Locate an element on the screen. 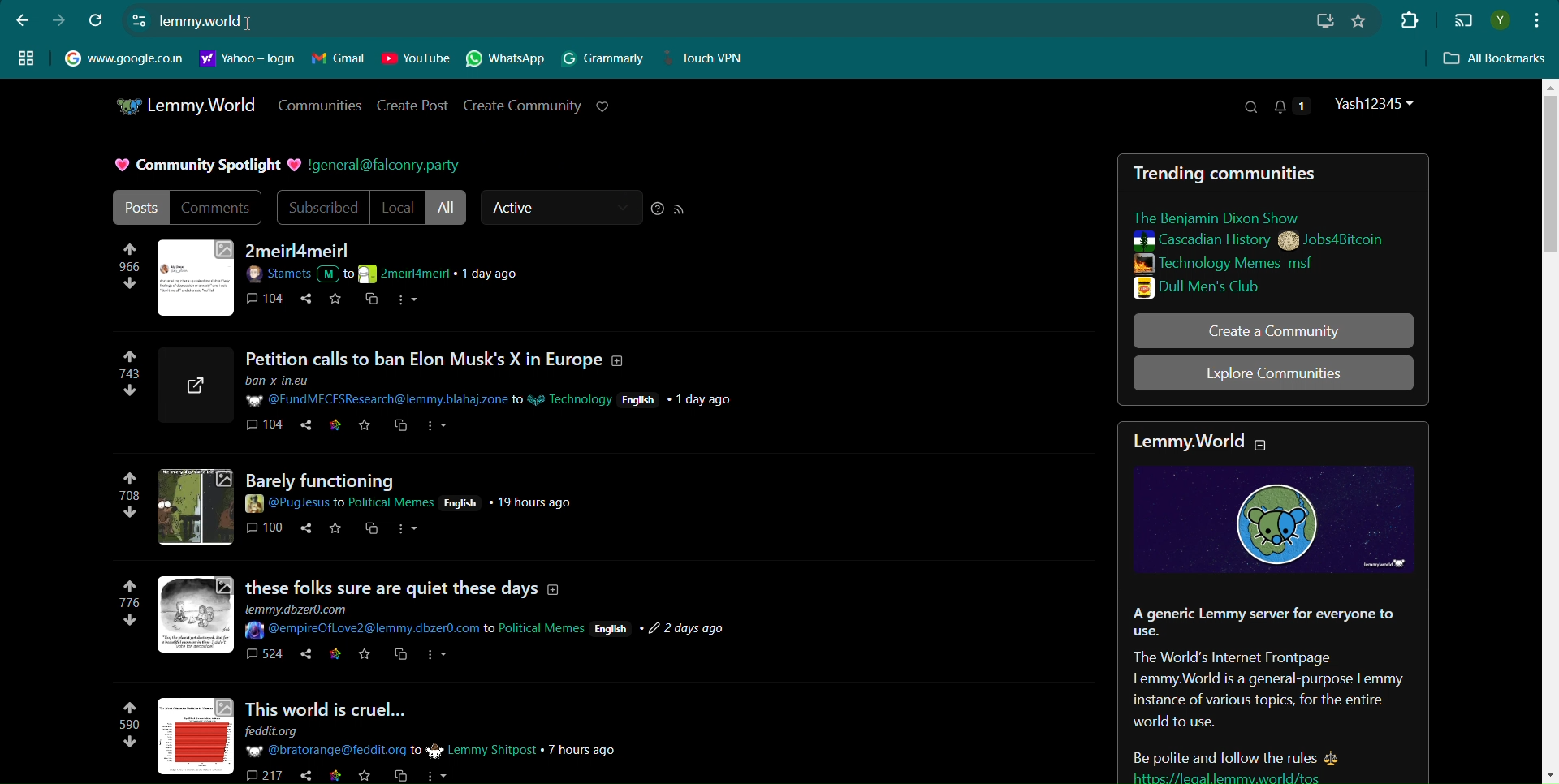  Image is located at coordinates (1274, 519).